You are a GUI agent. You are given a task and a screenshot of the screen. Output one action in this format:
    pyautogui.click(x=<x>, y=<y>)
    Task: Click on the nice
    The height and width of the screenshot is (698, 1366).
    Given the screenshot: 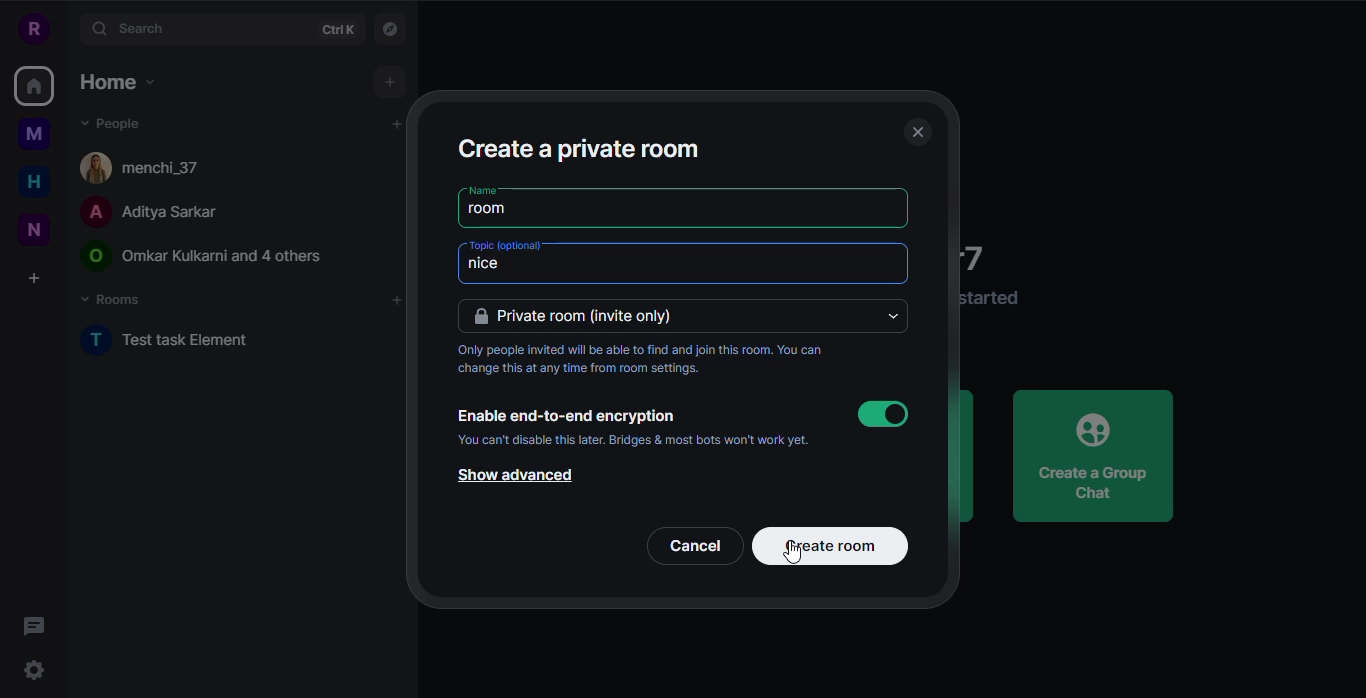 What is the action you would take?
    pyautogui.click(x=528, y=268)
    